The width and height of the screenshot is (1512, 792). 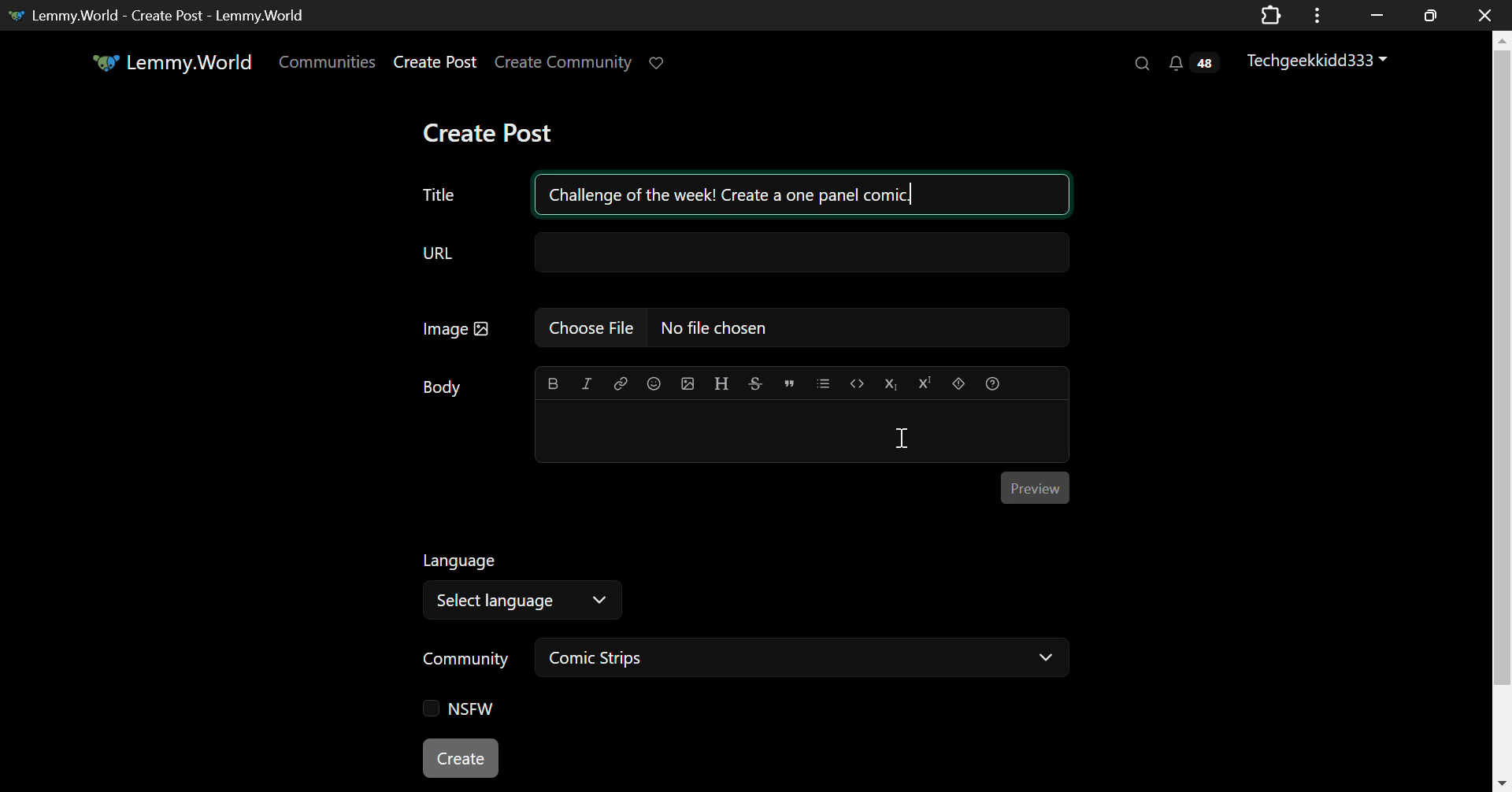 What do you see at coordinates (443, 387) in the screenshot?
I see `Body` at bounding box center [443, 387].